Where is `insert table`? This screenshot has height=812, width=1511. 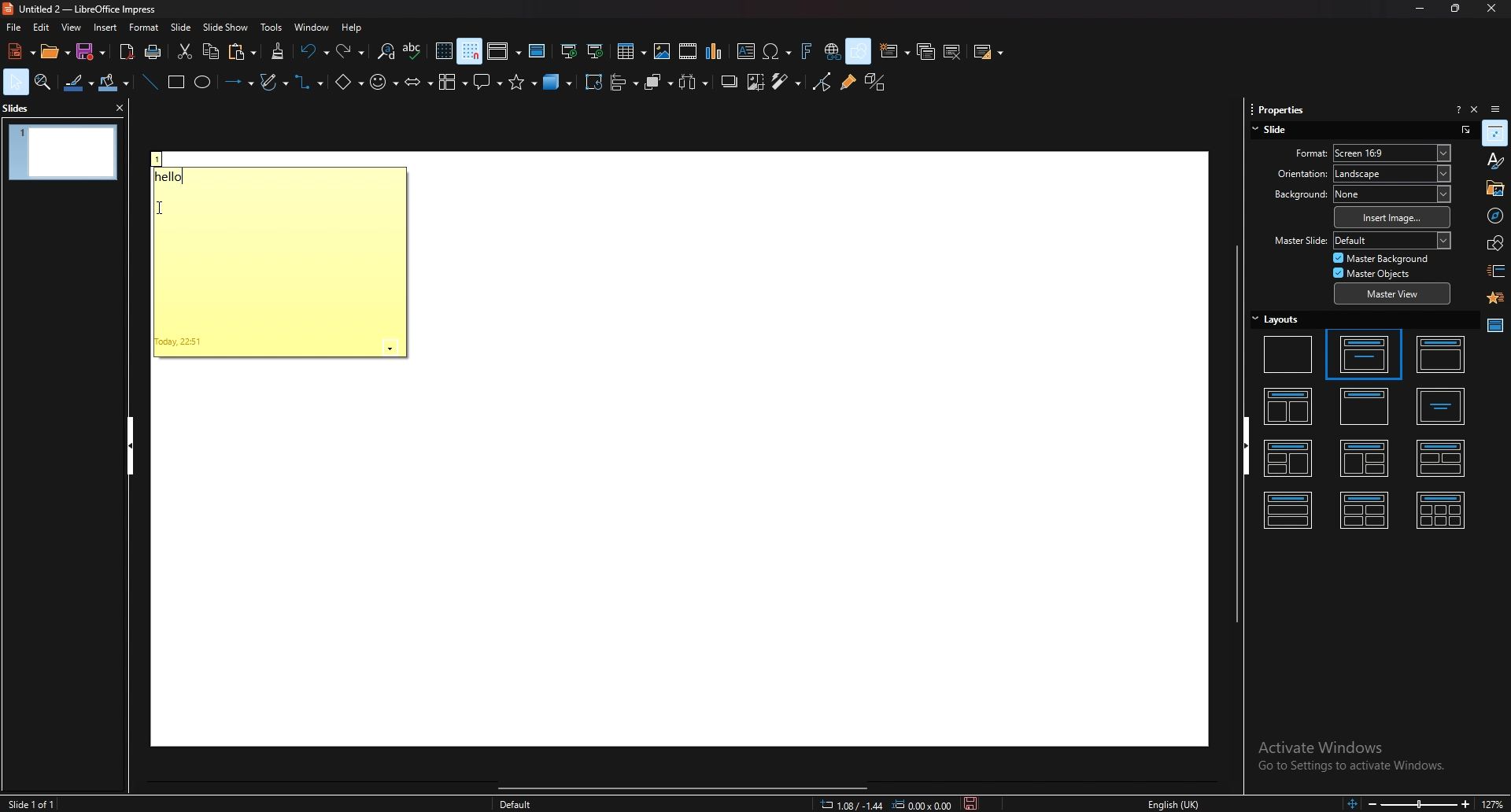
insert table is located at coordinates (630, 50).